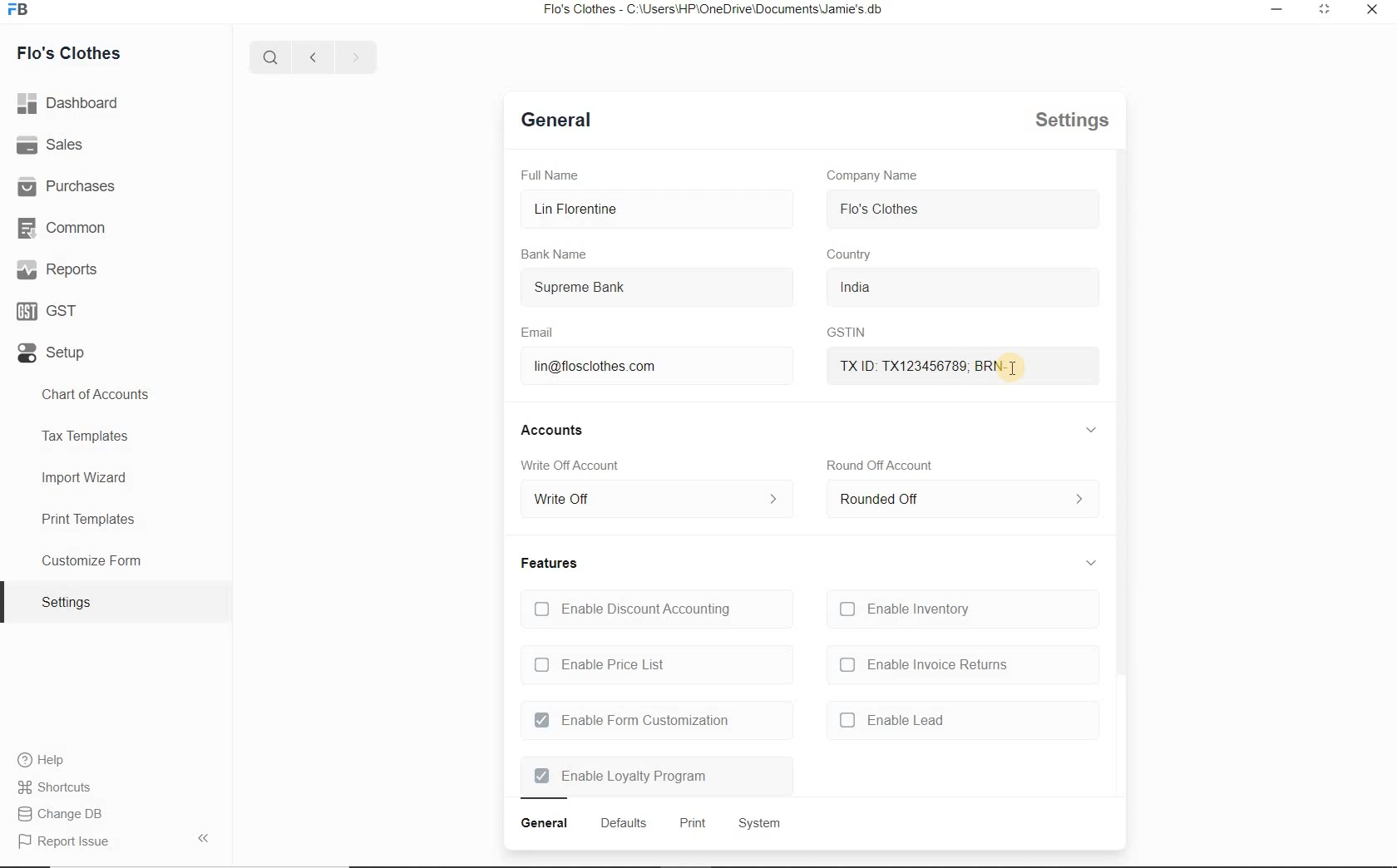 The height and width of the screenshot is (868, 1397). Describe the element at coordinates (1370, 10) in the screenshot. I see `close window` at that location.